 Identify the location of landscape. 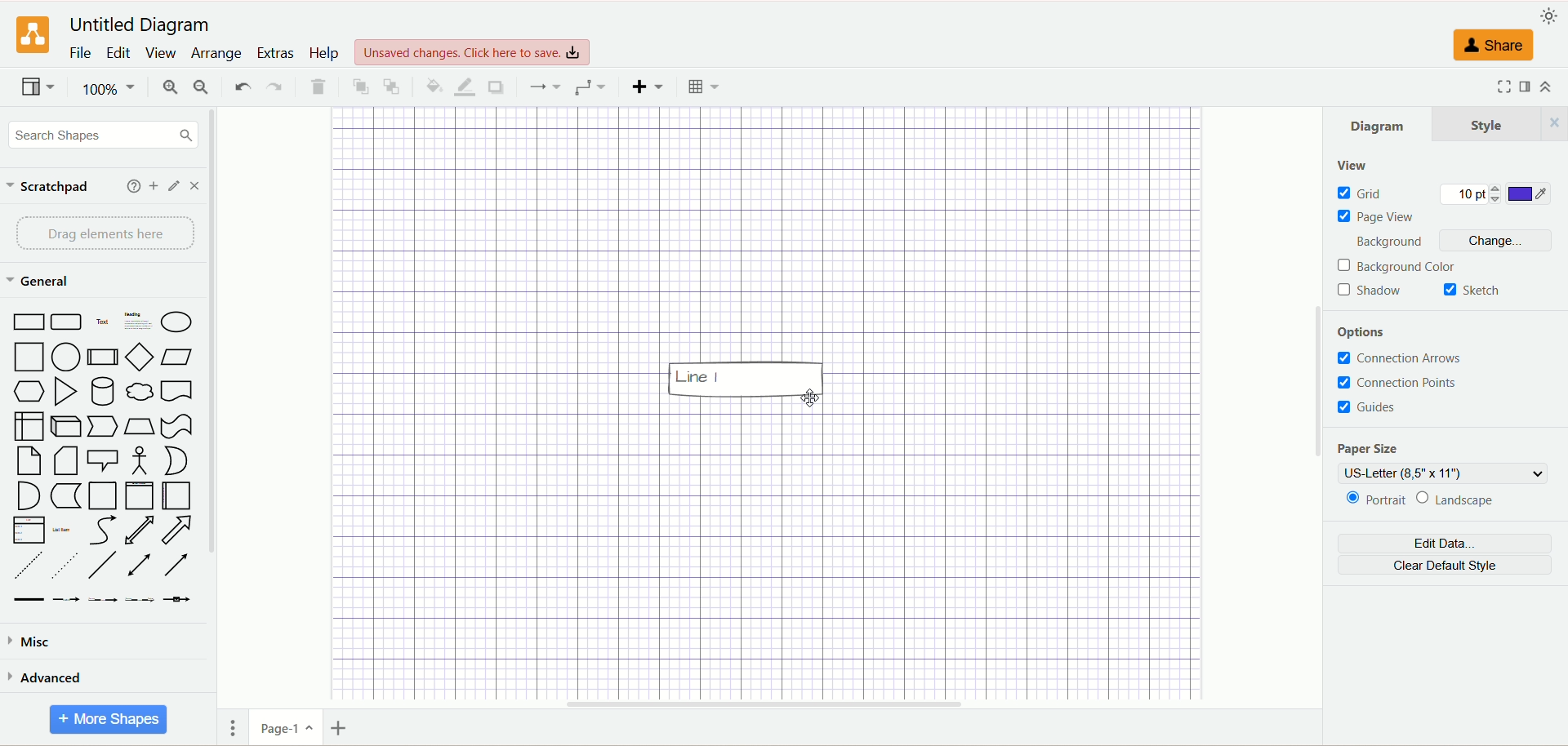
(1454, 502).